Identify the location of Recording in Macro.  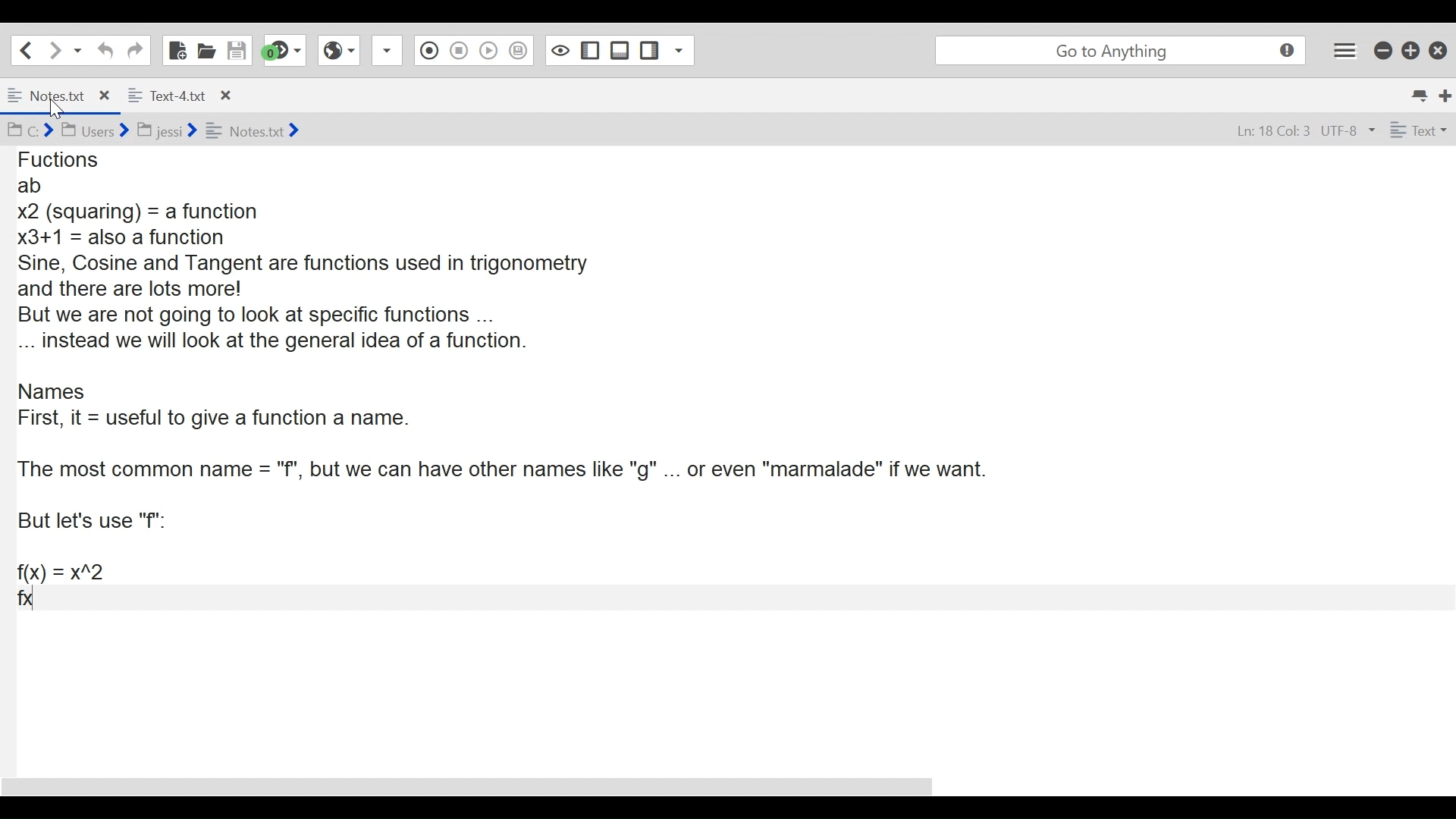
(429, 51).